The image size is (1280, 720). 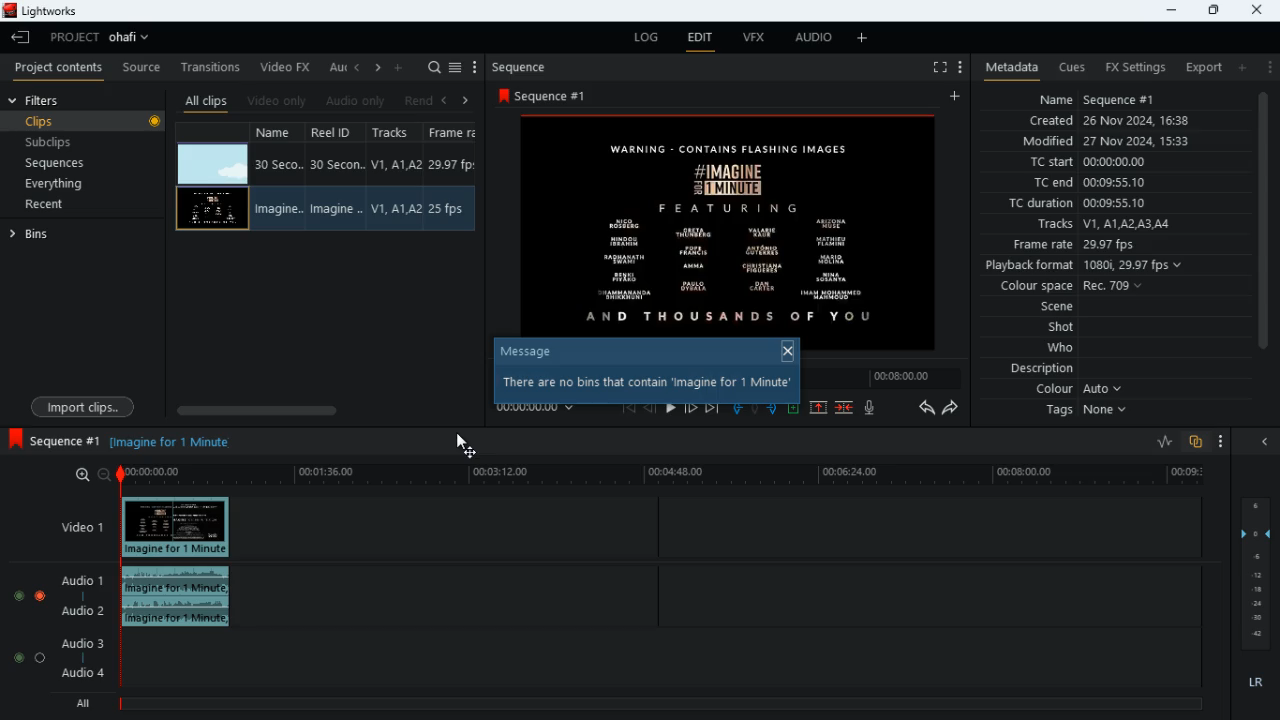 What do you see at coordinates (379, 69) in the screenshot?
I see `right` at bounding box center [379, 69].